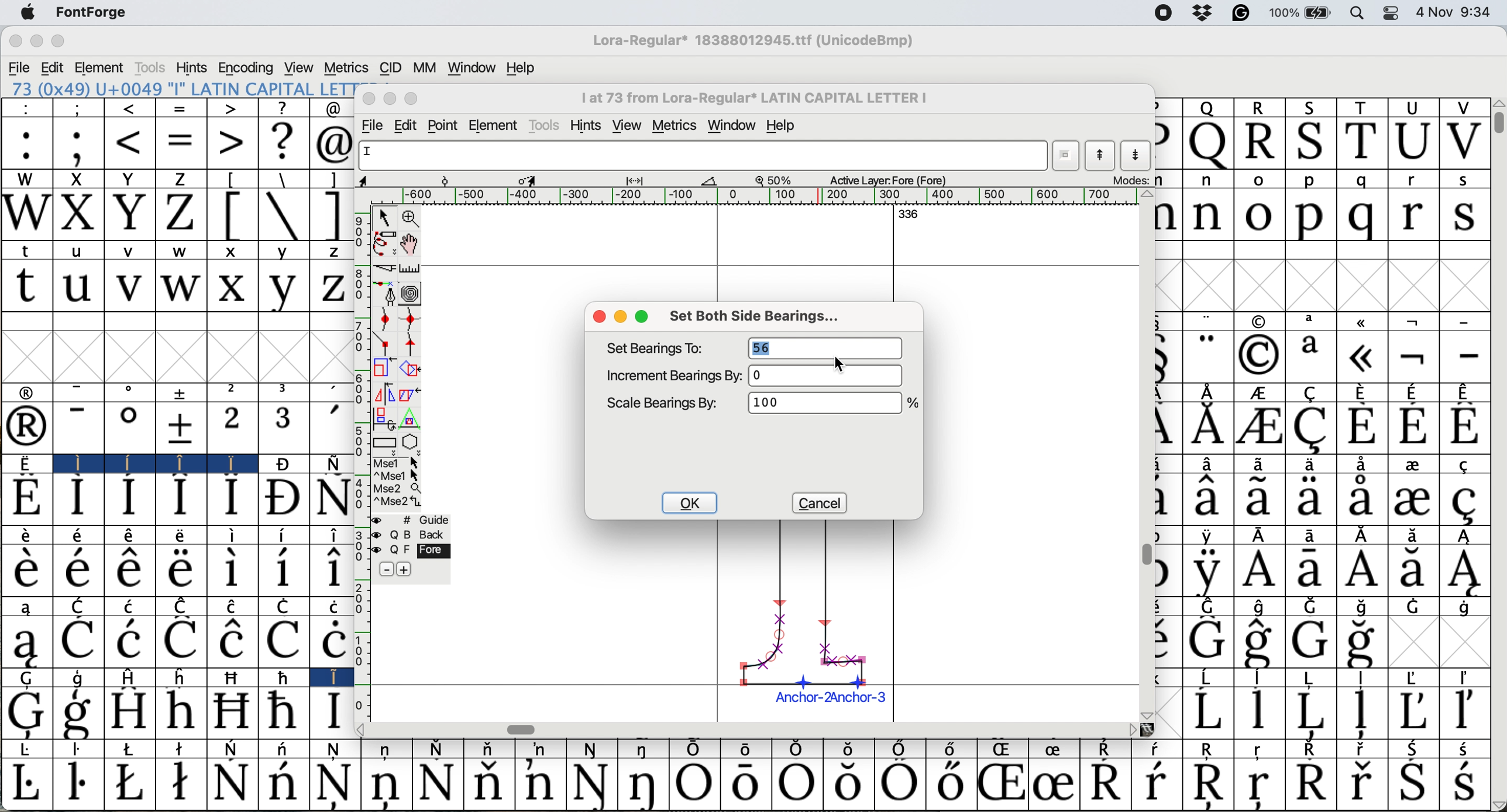 The image size is (1507, 812). I want to click on Symbol, so click(1264, 677).